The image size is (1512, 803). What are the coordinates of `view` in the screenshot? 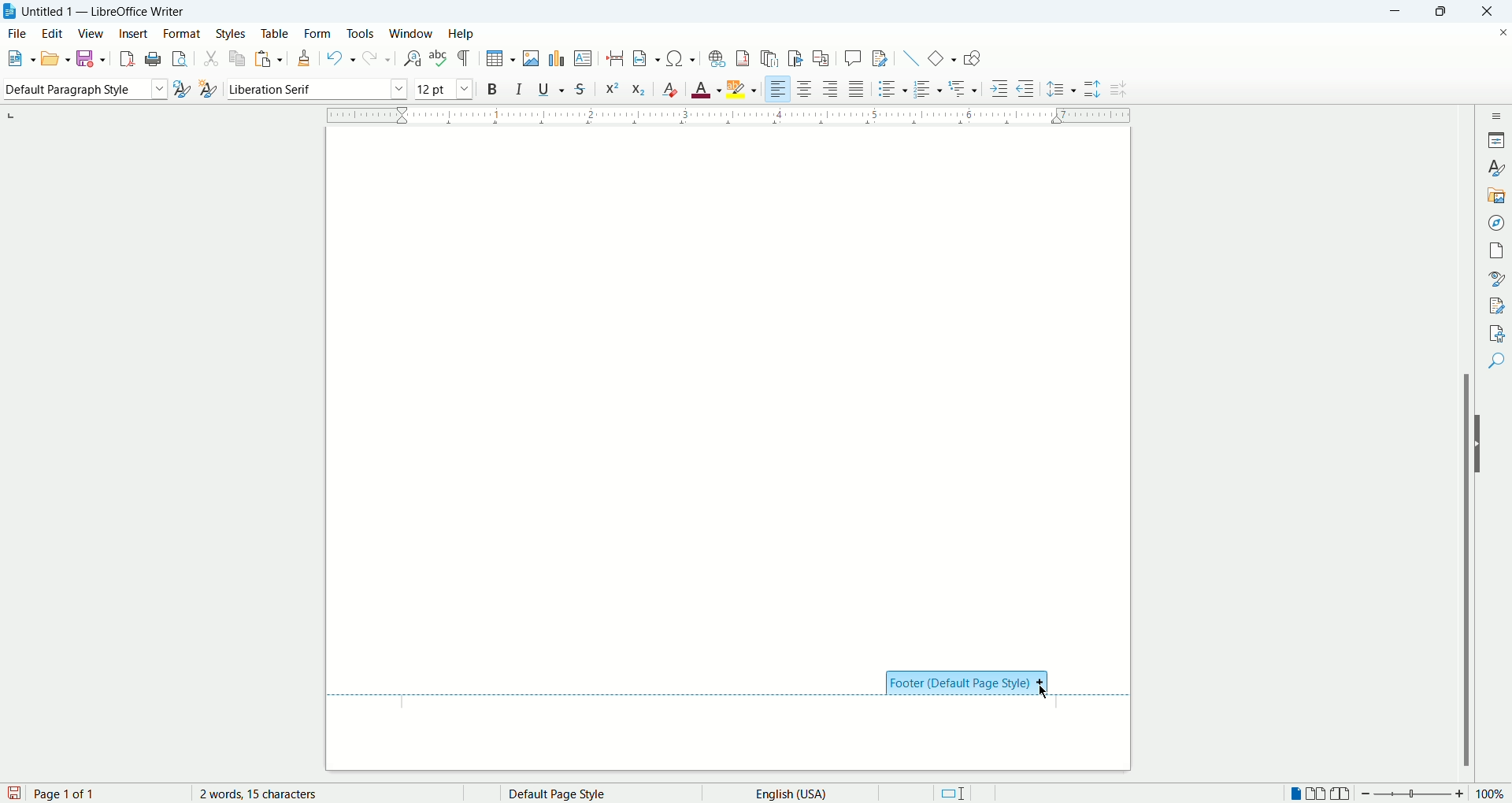 It's located at (92, 34).